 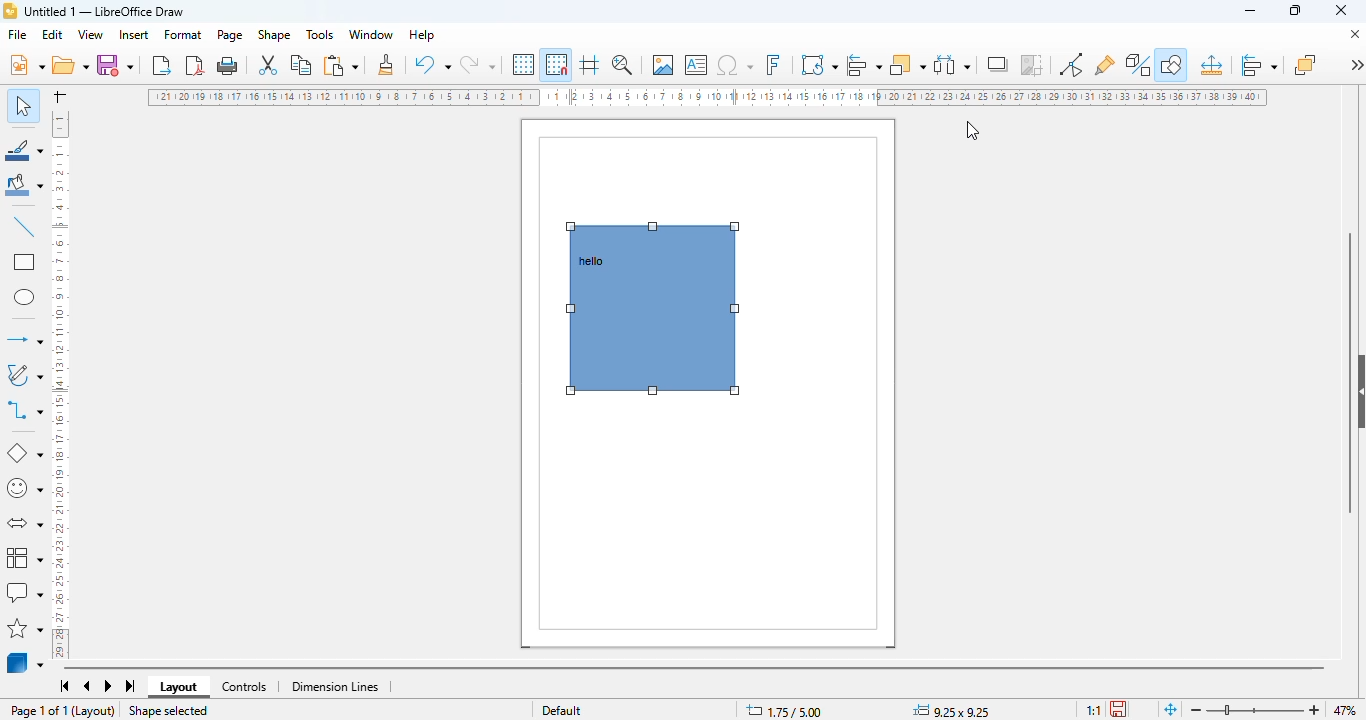 I want to click on close, so click(x=1341, y=10).